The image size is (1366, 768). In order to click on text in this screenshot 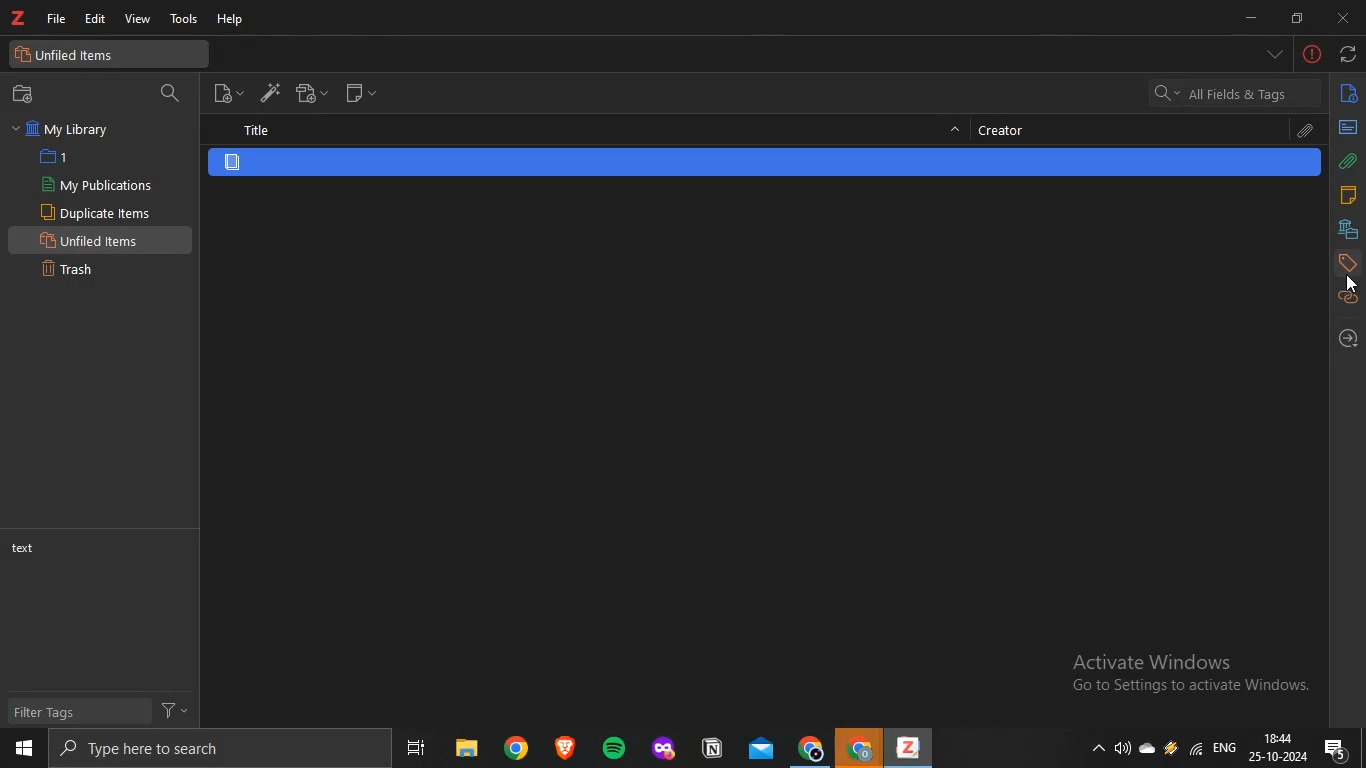, I will do `click(28, 550)`.